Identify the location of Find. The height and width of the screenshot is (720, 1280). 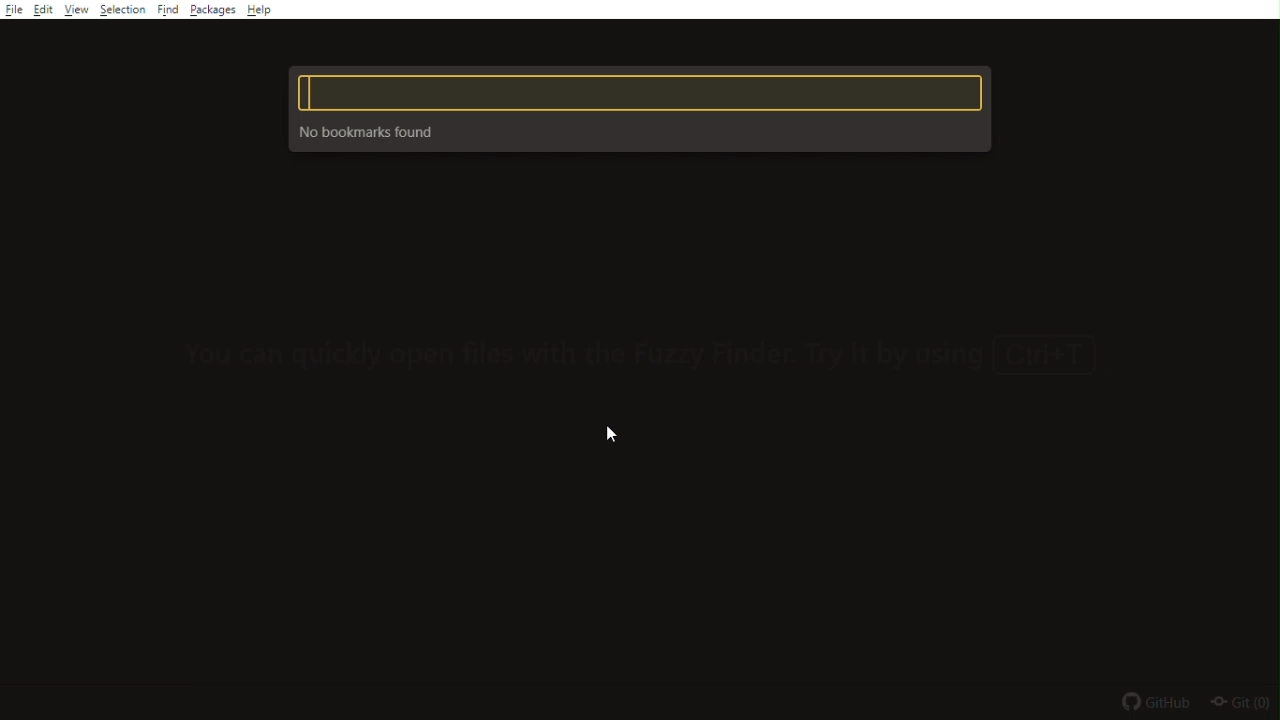
(170, 10).